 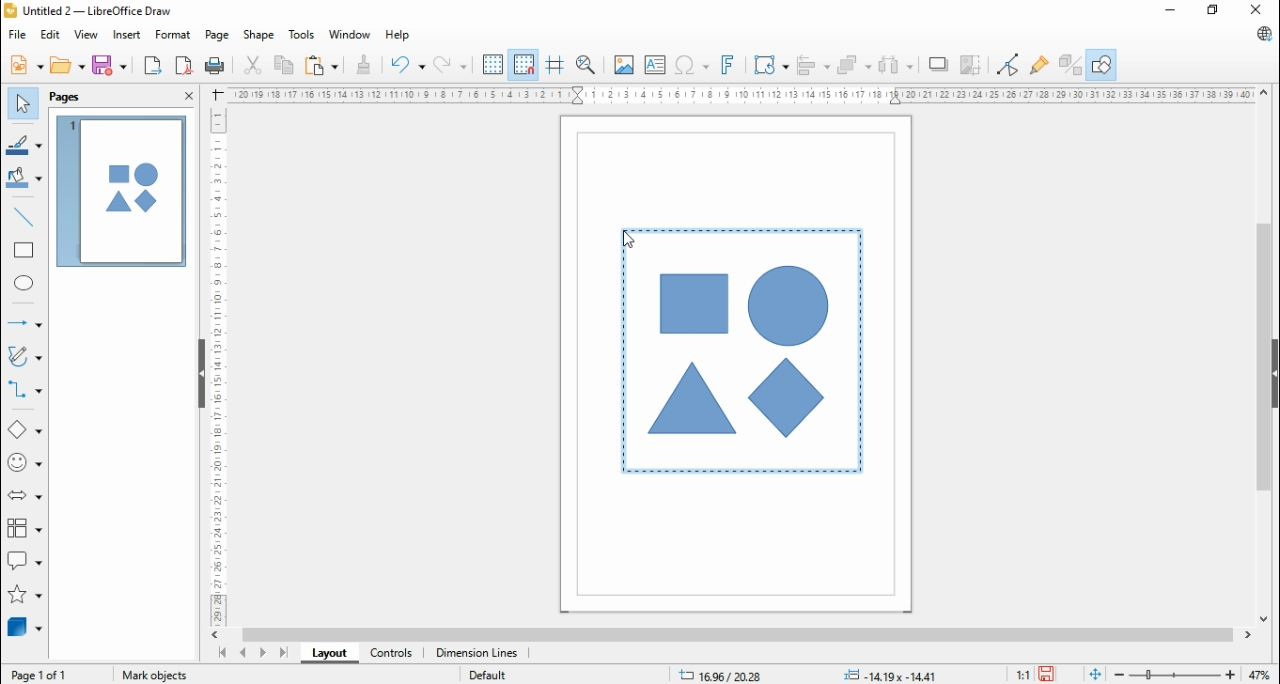 What do you see at coordinates (971, 66) in the screenshot?
I see `crop` at bounding box center [971, 66].